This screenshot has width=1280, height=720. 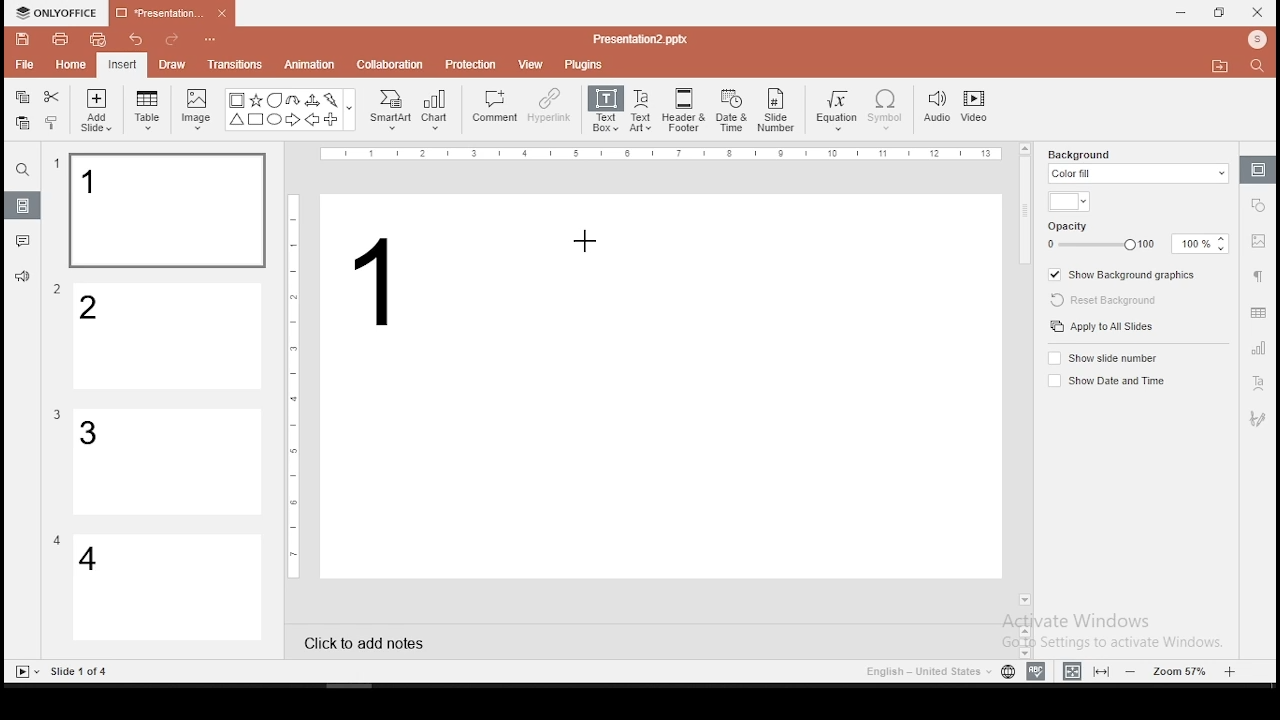 I want to click on view, so click(x=532, y=63).